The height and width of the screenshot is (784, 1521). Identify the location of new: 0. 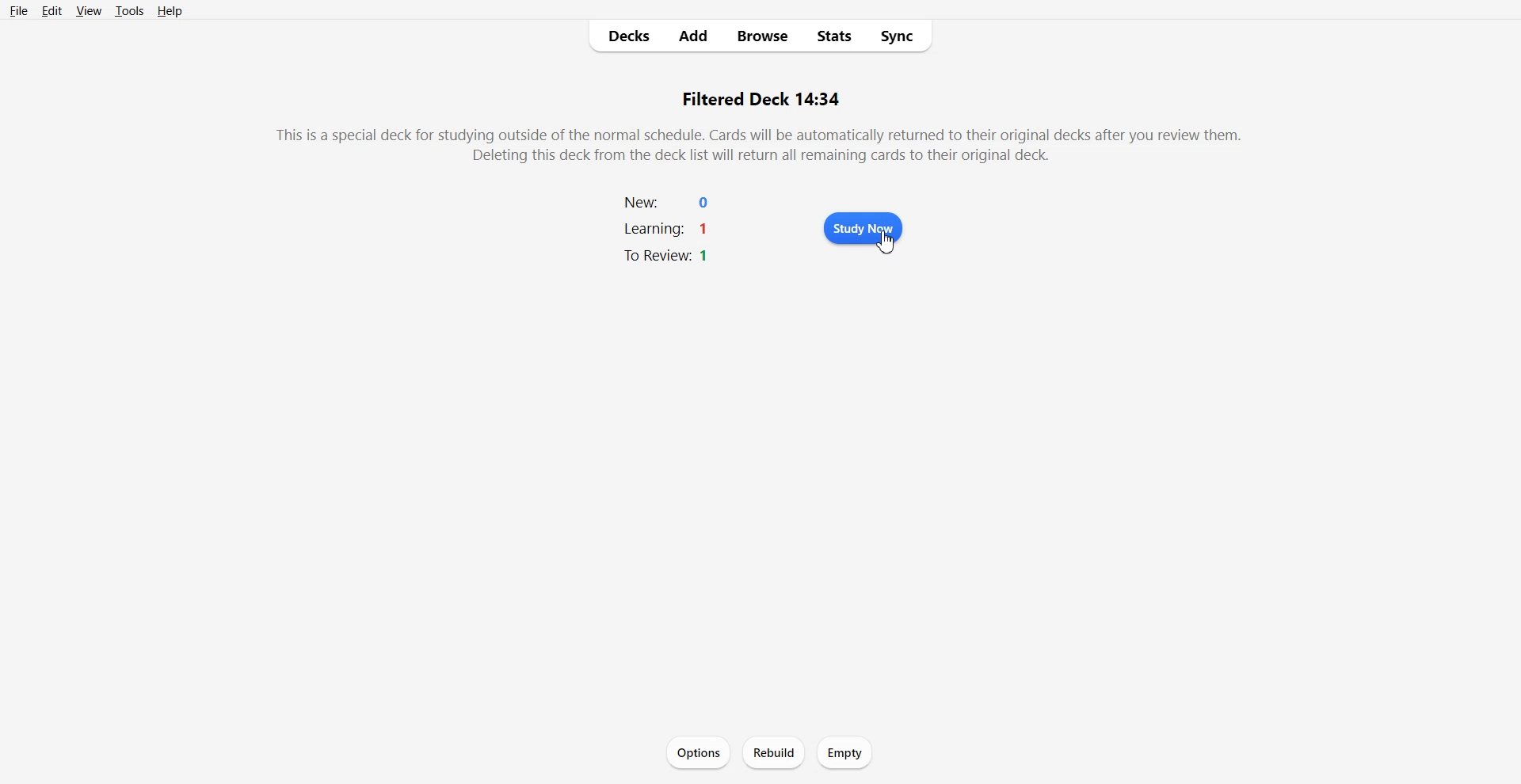
(666, 200).